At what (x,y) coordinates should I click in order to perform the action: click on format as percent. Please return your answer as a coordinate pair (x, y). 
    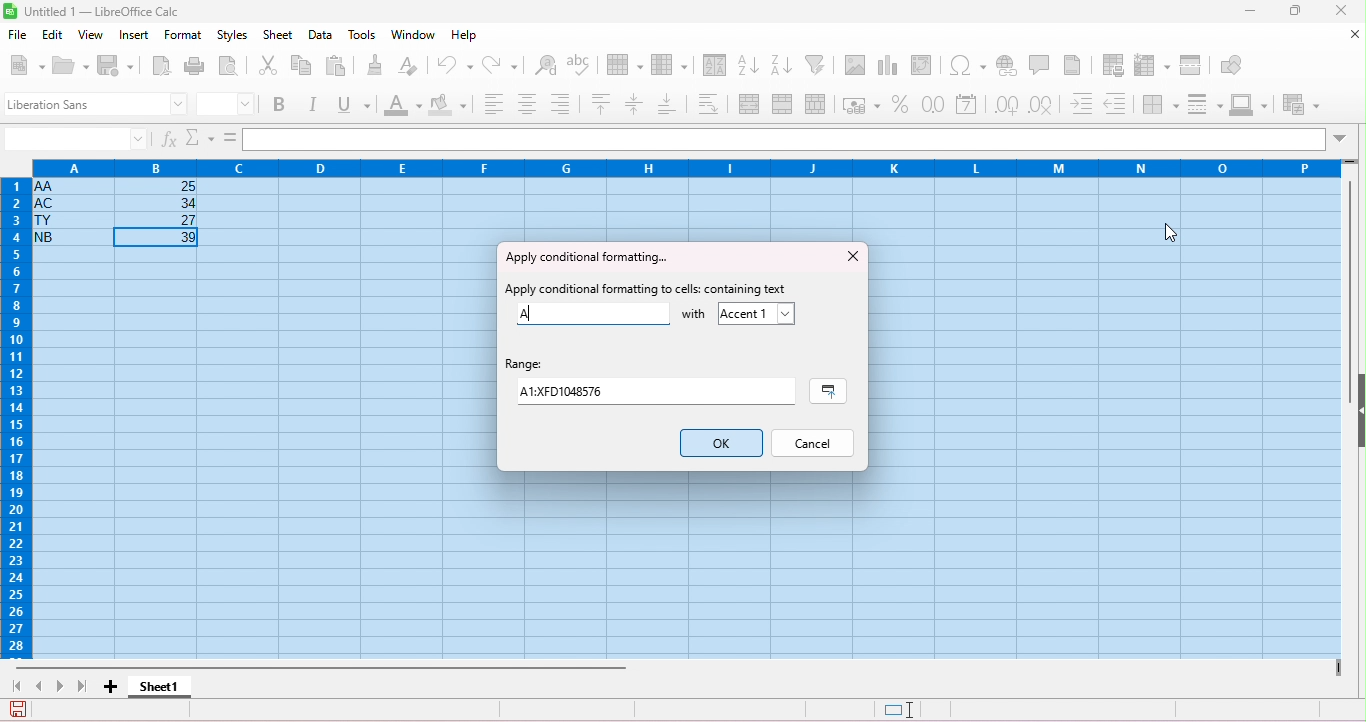
    Looking at the image, I should click on (900, 103).